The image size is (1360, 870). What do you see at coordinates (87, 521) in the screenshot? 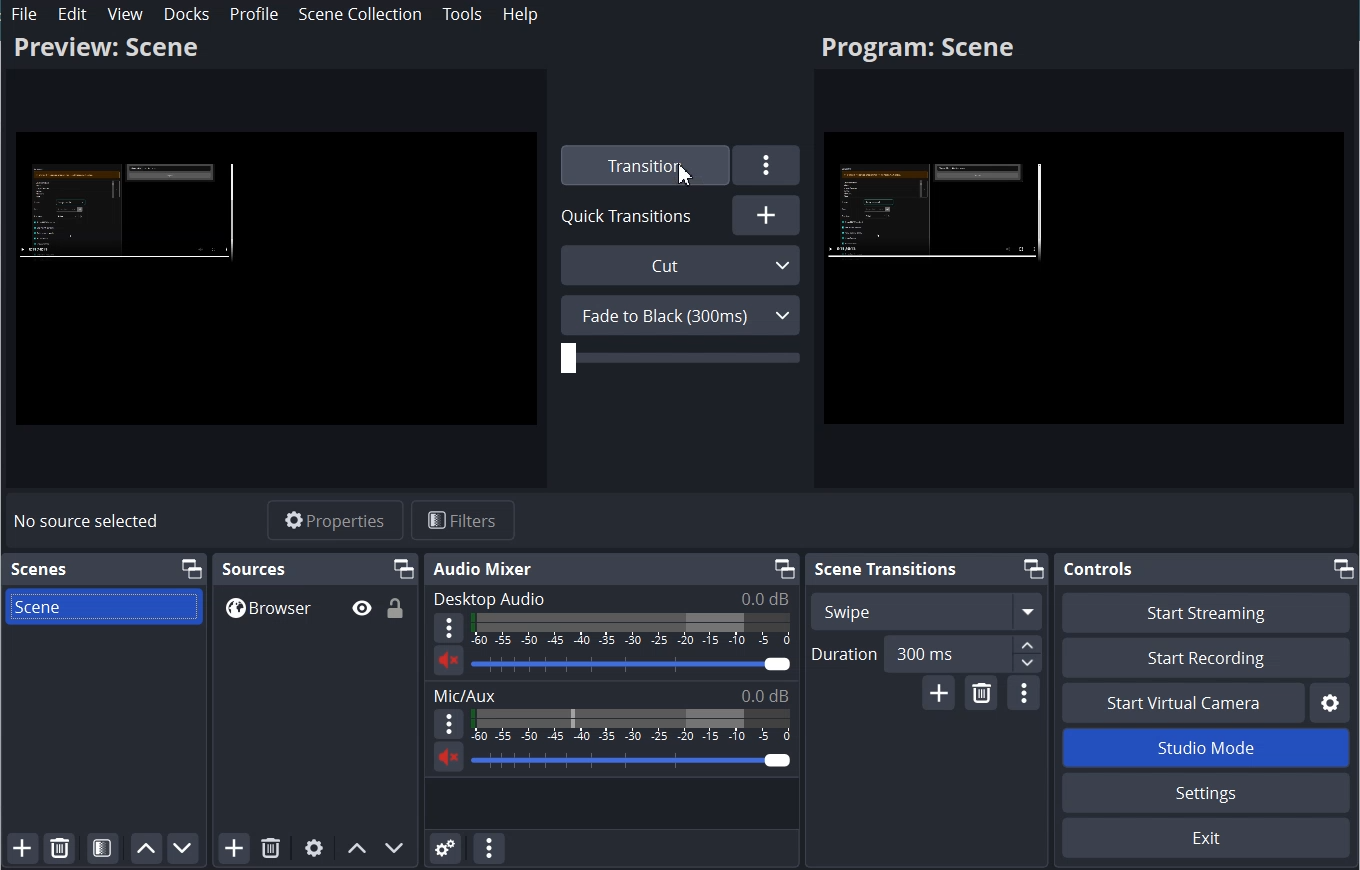
I see `No source selected` at bounding box center [87, 521].